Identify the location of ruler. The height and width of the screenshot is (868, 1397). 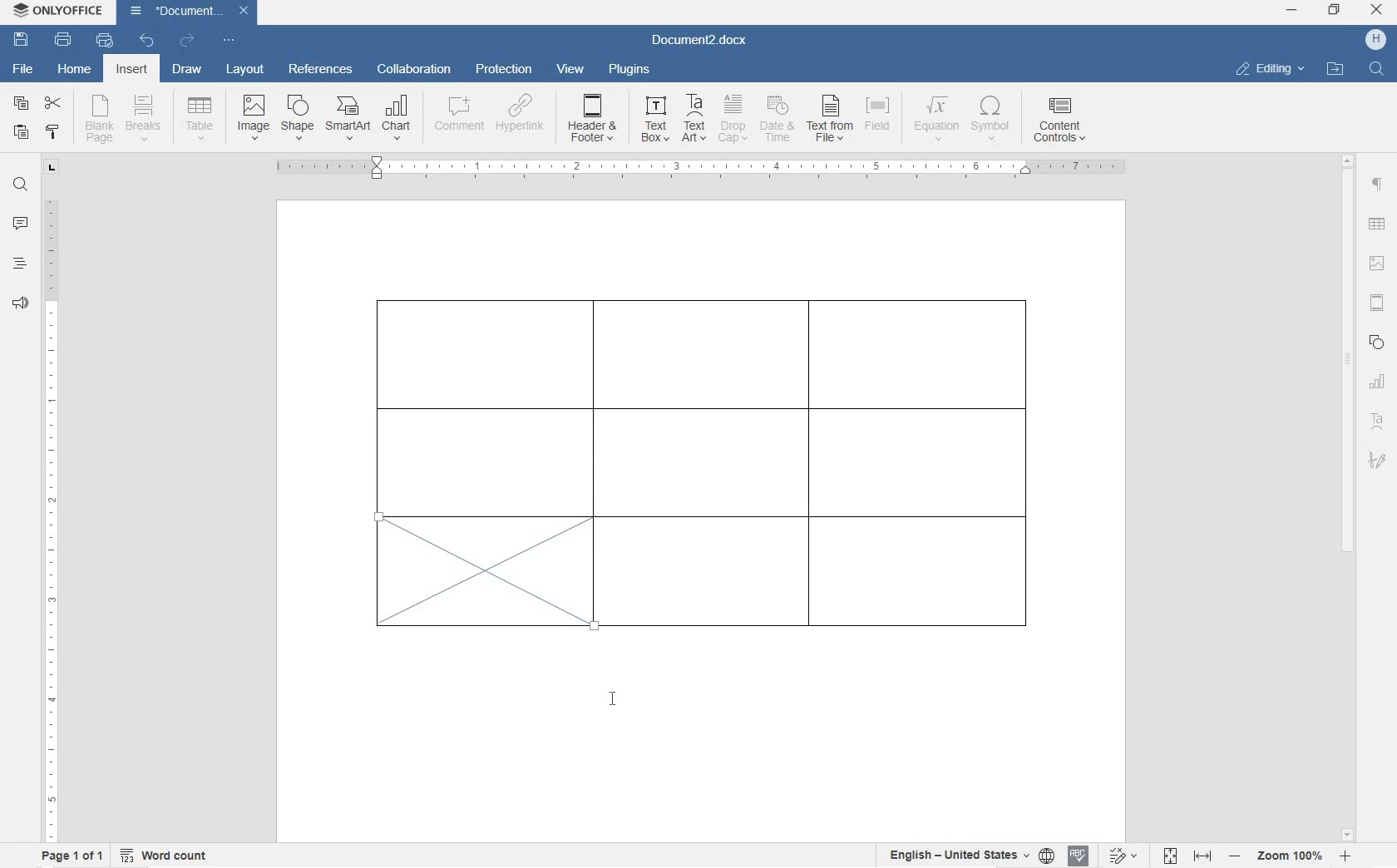
(51, 515).